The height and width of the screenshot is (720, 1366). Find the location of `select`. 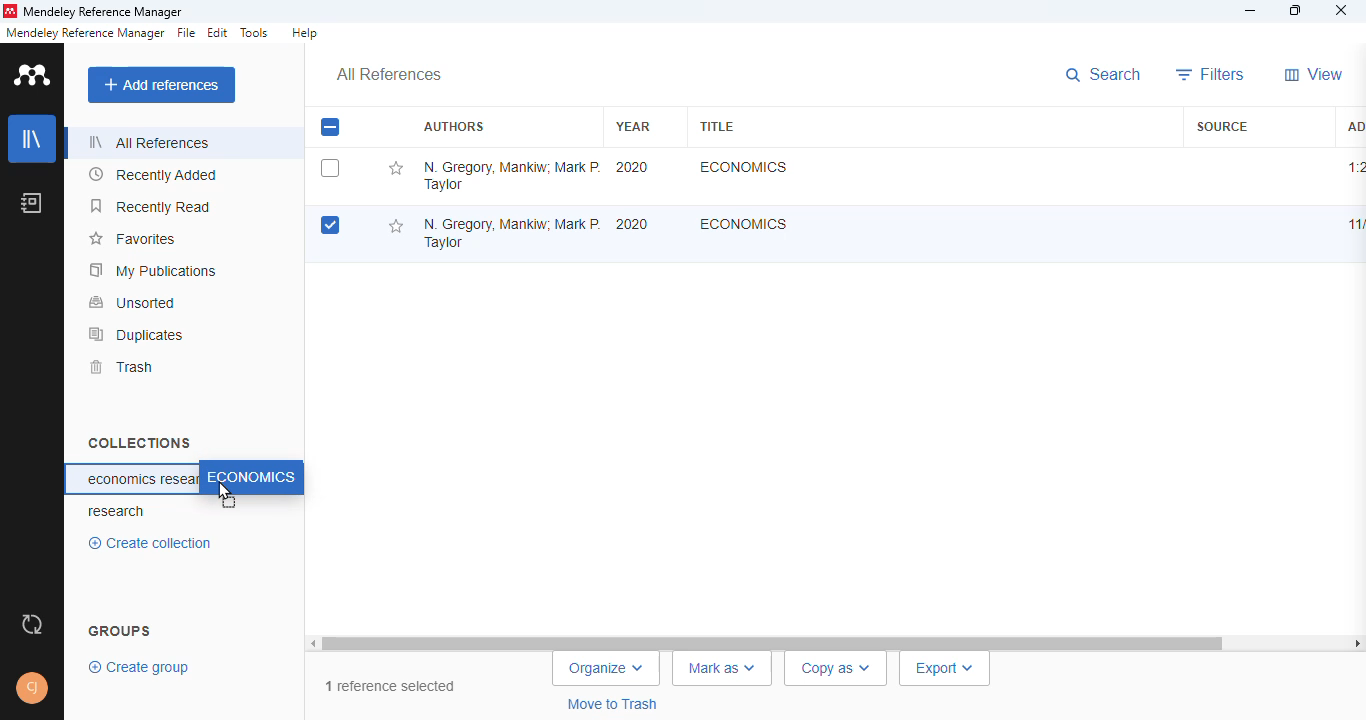

select is located at coordinates (330, 168).